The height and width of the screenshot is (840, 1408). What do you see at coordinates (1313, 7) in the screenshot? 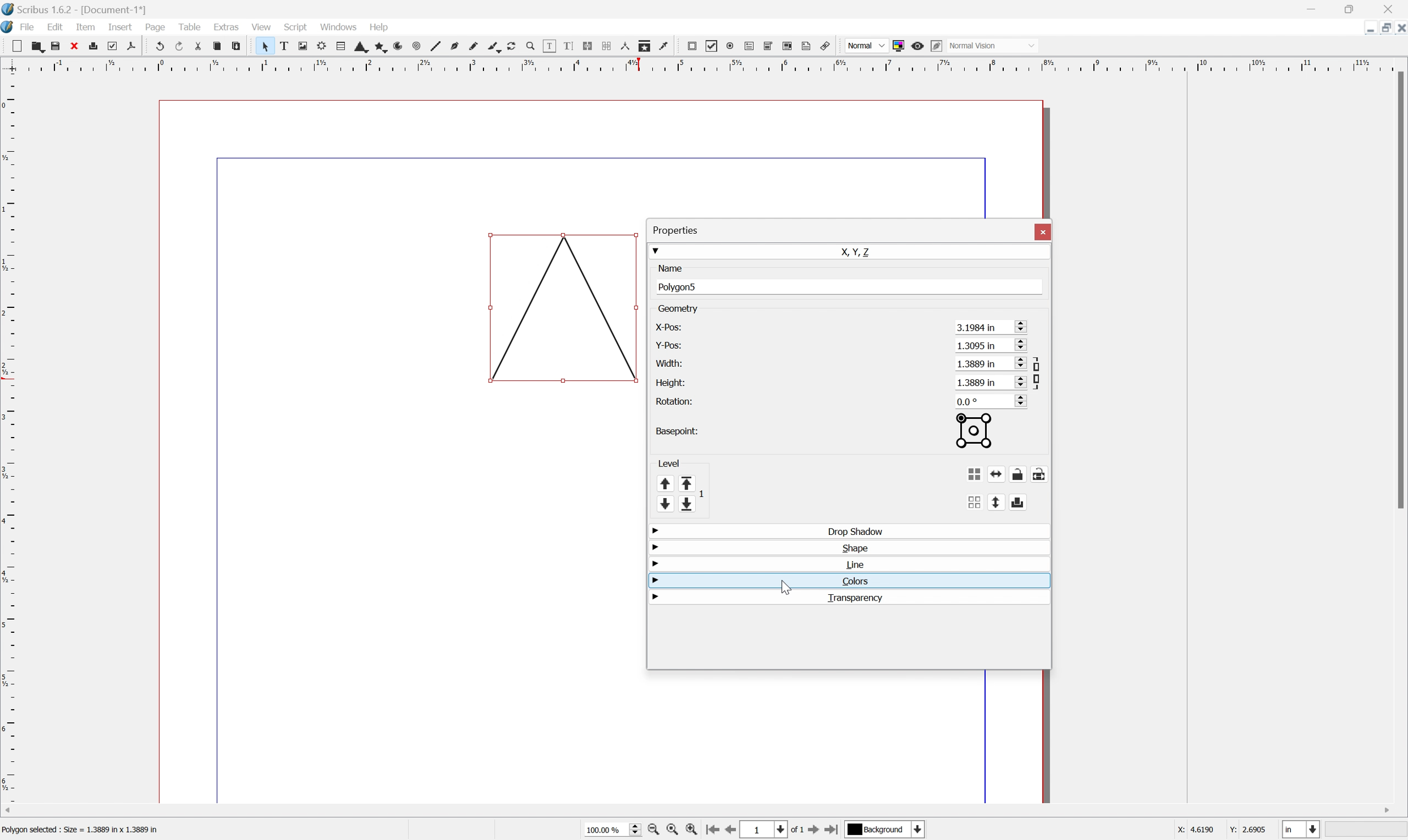
I see `Minimize` at bounding box center [1313, 7].